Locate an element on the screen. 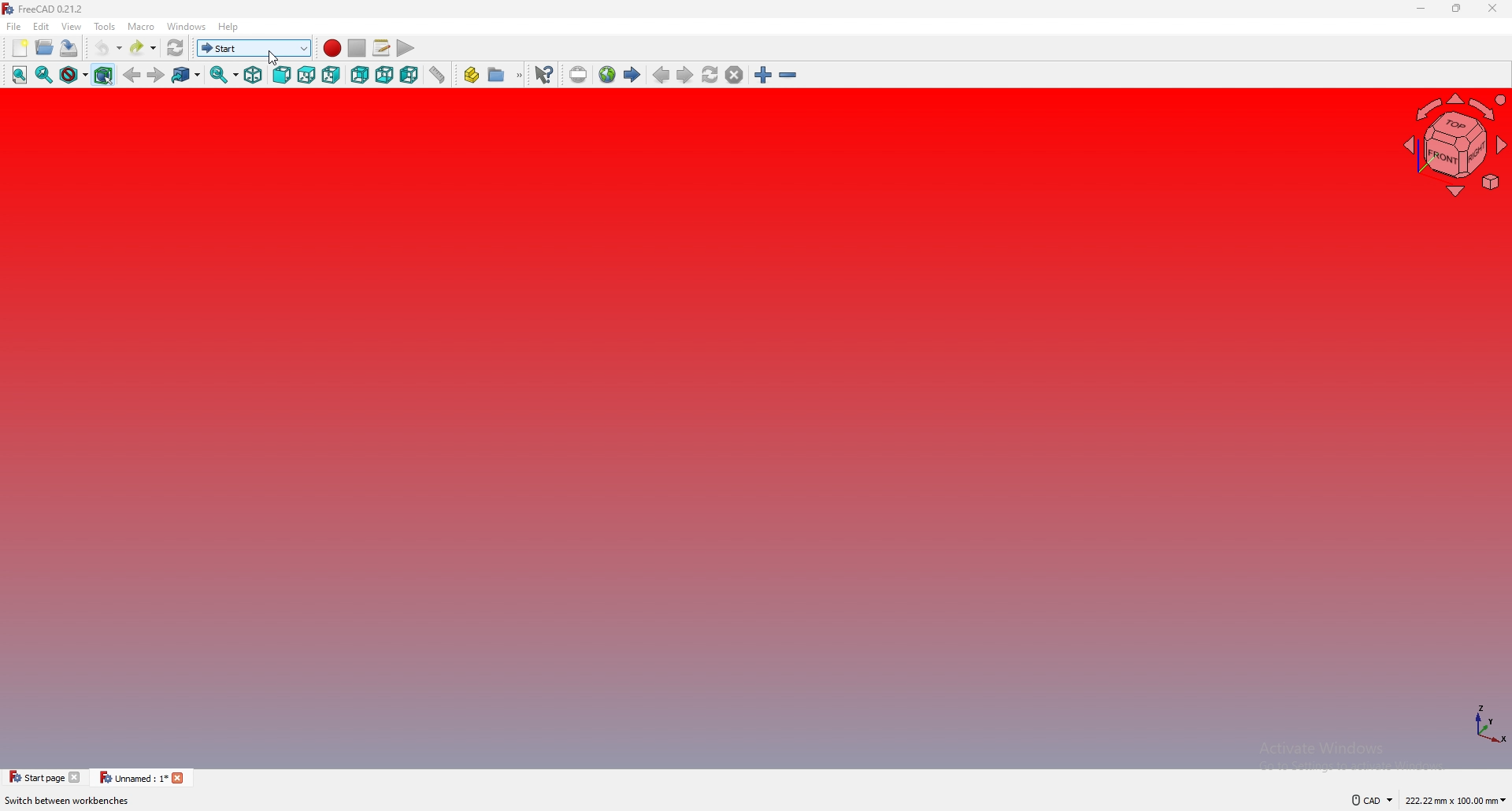 The height and width of the screenshot is (811, 1512). fit all is located at coordinates (19, 75).